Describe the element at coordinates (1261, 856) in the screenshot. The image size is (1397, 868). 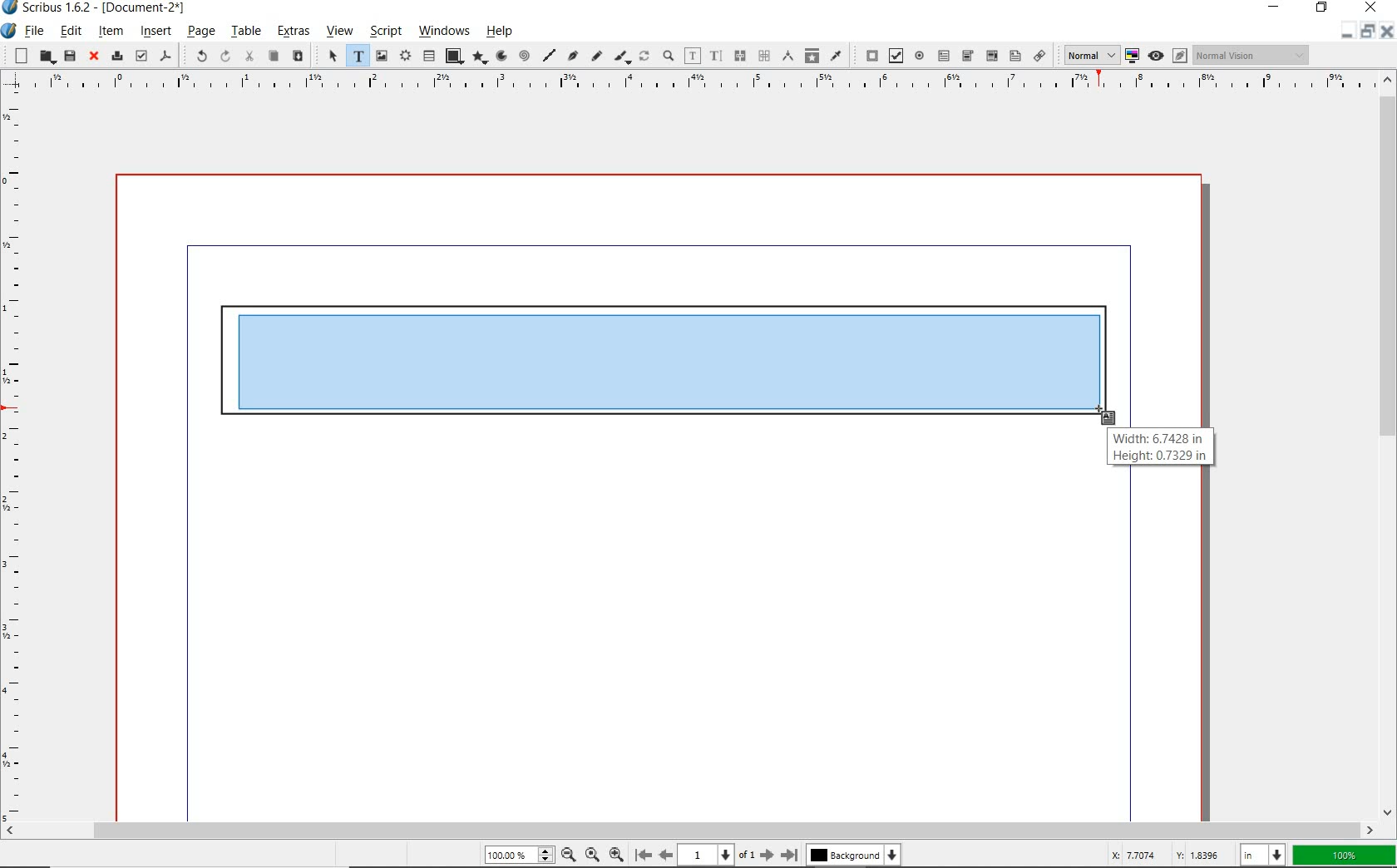
I see `select unit` at that location.